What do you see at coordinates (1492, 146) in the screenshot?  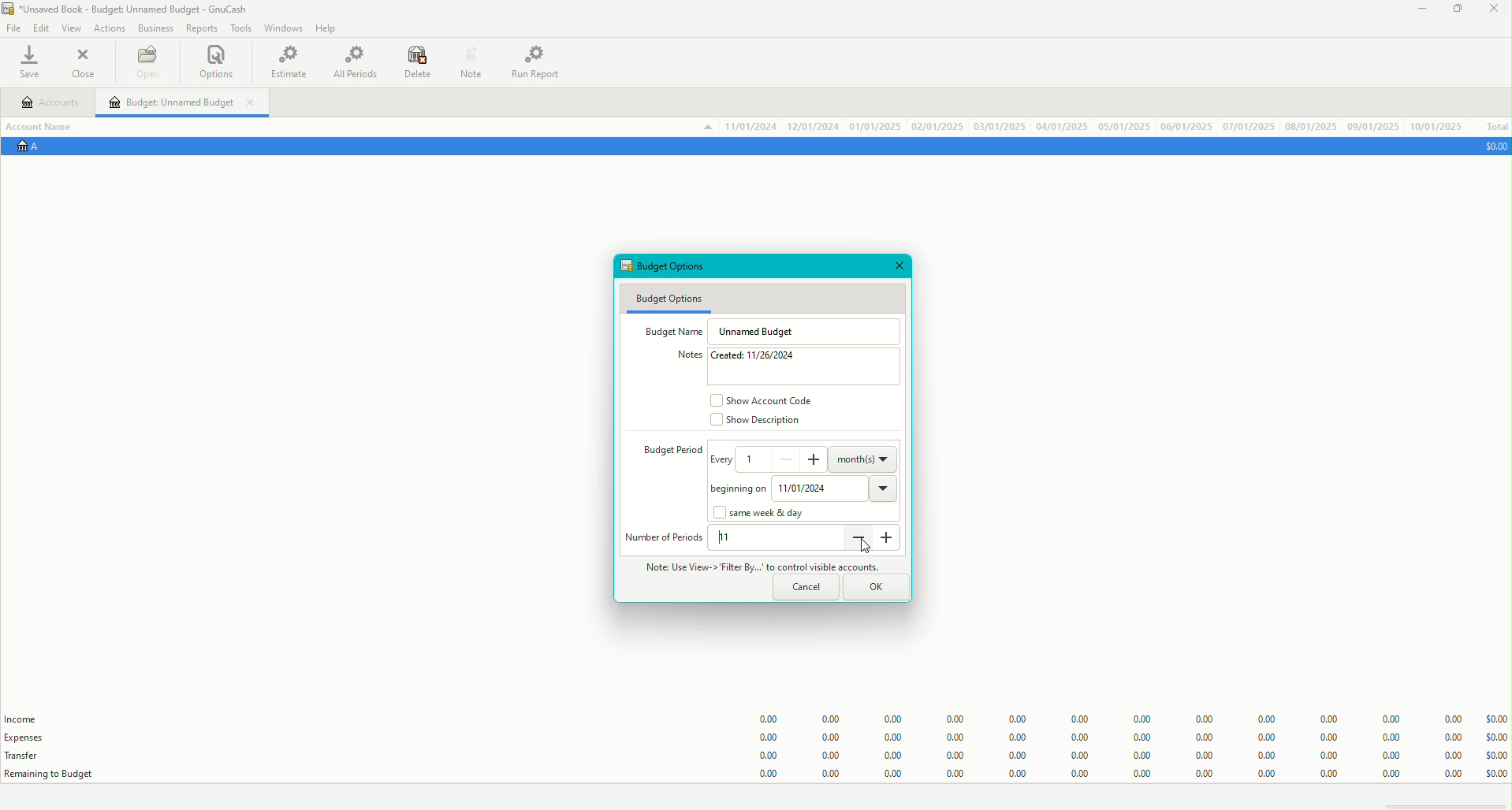 I see `$0` at bounding box center [1492, 146].